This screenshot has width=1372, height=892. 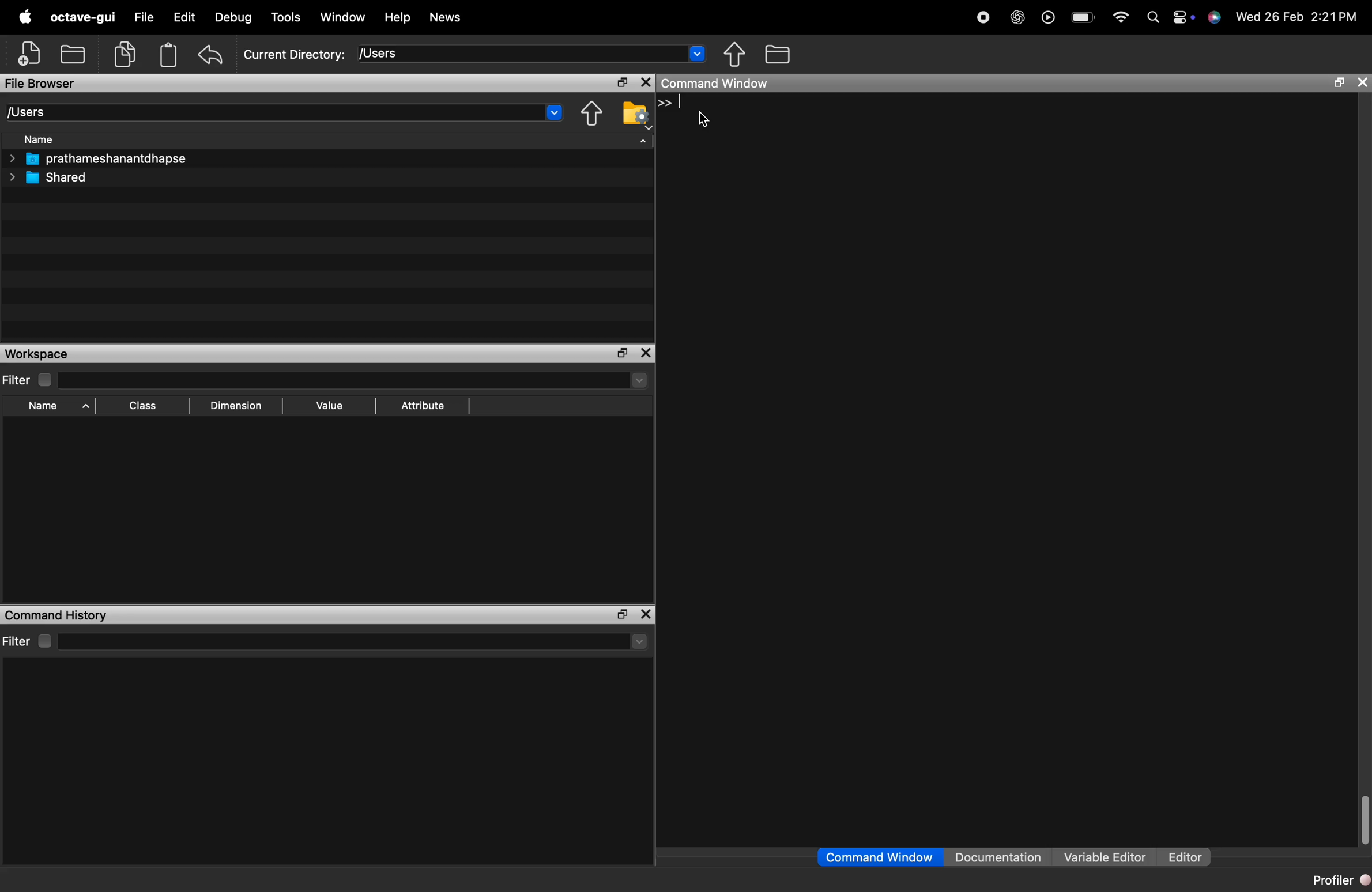 What do you see at coordinates (1049, 14) in the screenshot?
I see `play` at bounding box center [1049, 14].